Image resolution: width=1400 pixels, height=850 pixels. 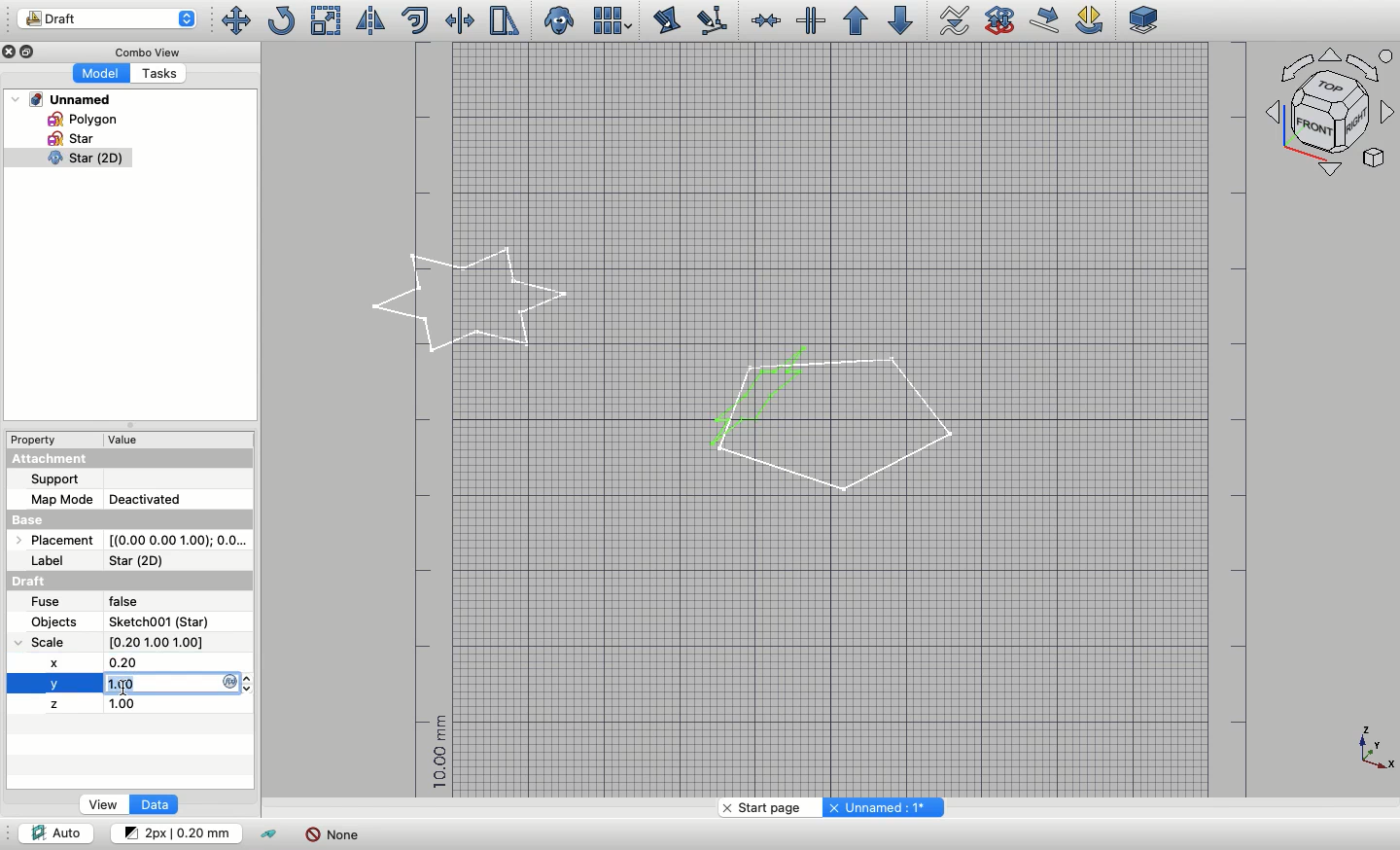 What do you see at coordinates (128, 425) in the screenshot?
I see `Collapse` at bounding box center [128, 425].